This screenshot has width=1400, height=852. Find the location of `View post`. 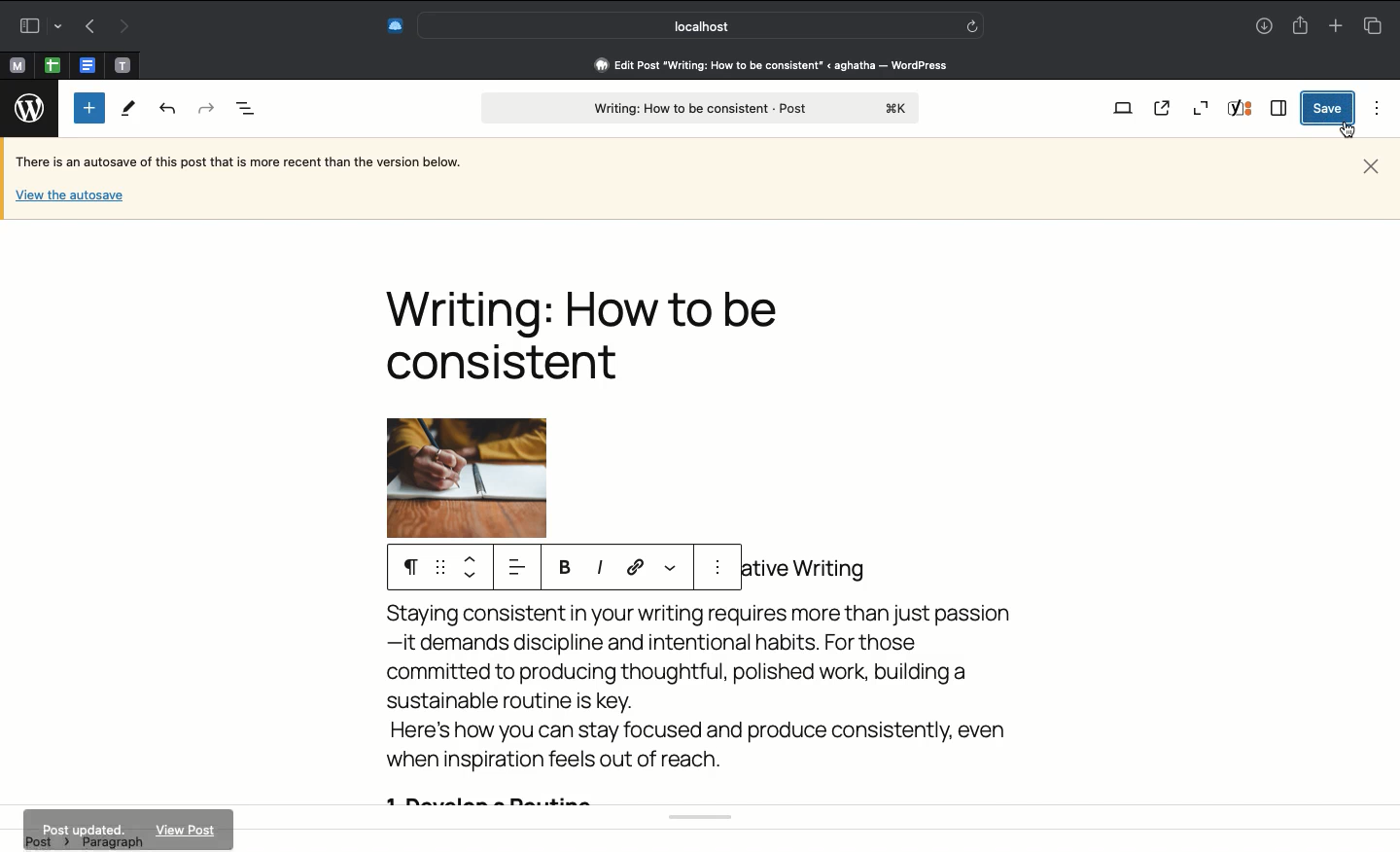

View post is located at coordinates (1166, 109).